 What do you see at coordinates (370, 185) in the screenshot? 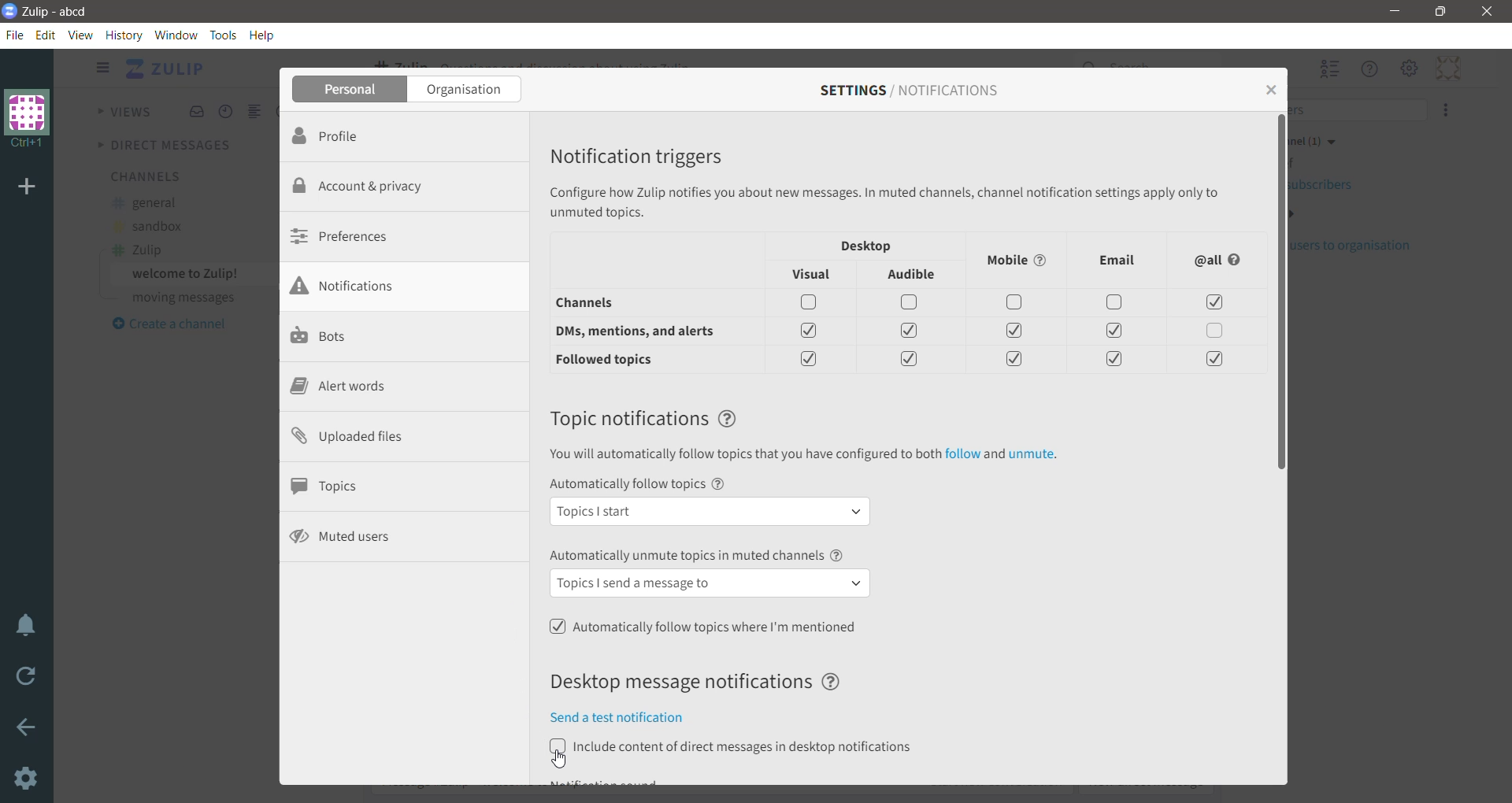
I see `Account and privacy` at bounding box center [370, 185].